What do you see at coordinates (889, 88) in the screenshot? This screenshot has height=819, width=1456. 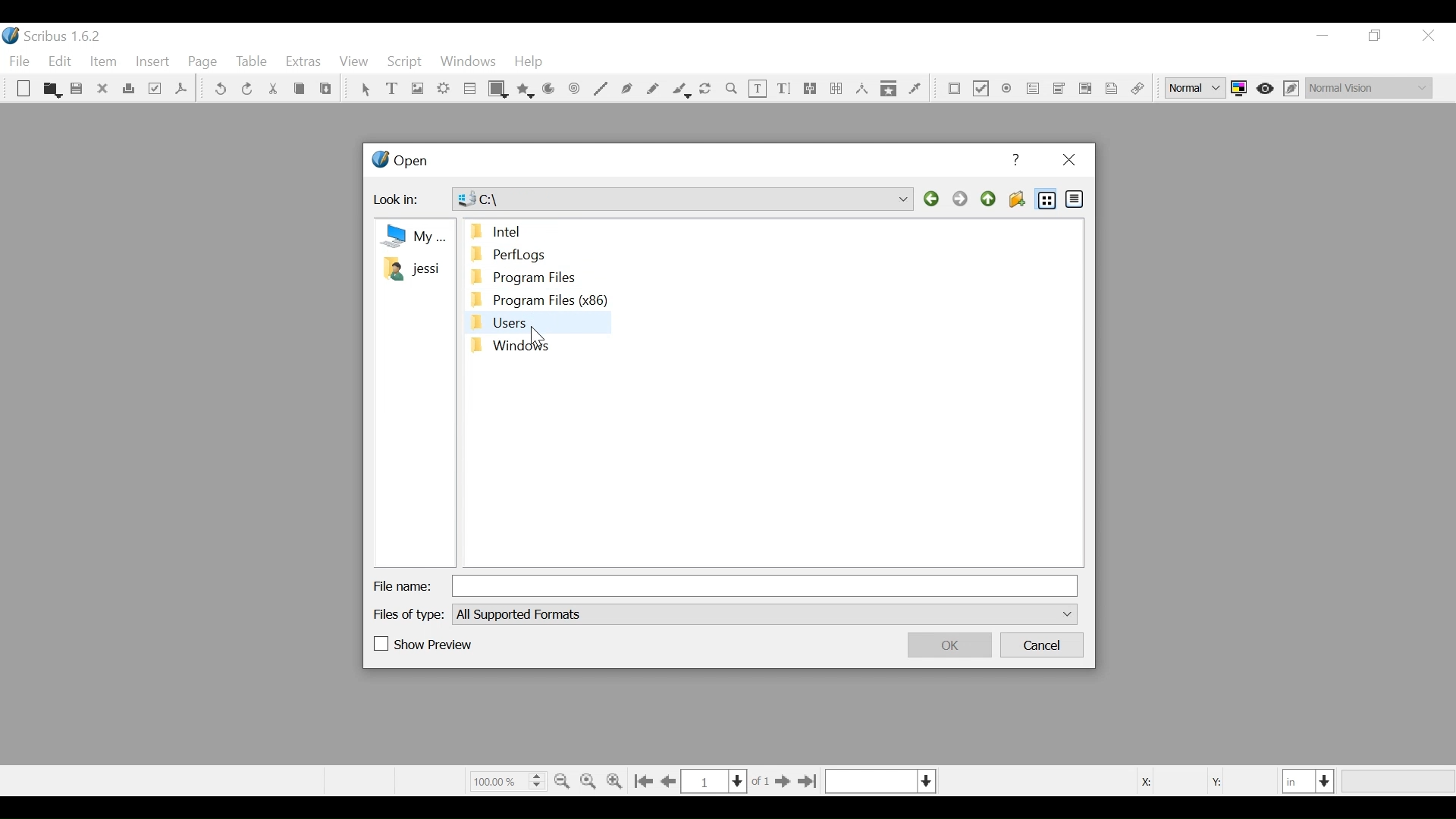 I see `Copy Item properties` at bounding box center [889, 88].